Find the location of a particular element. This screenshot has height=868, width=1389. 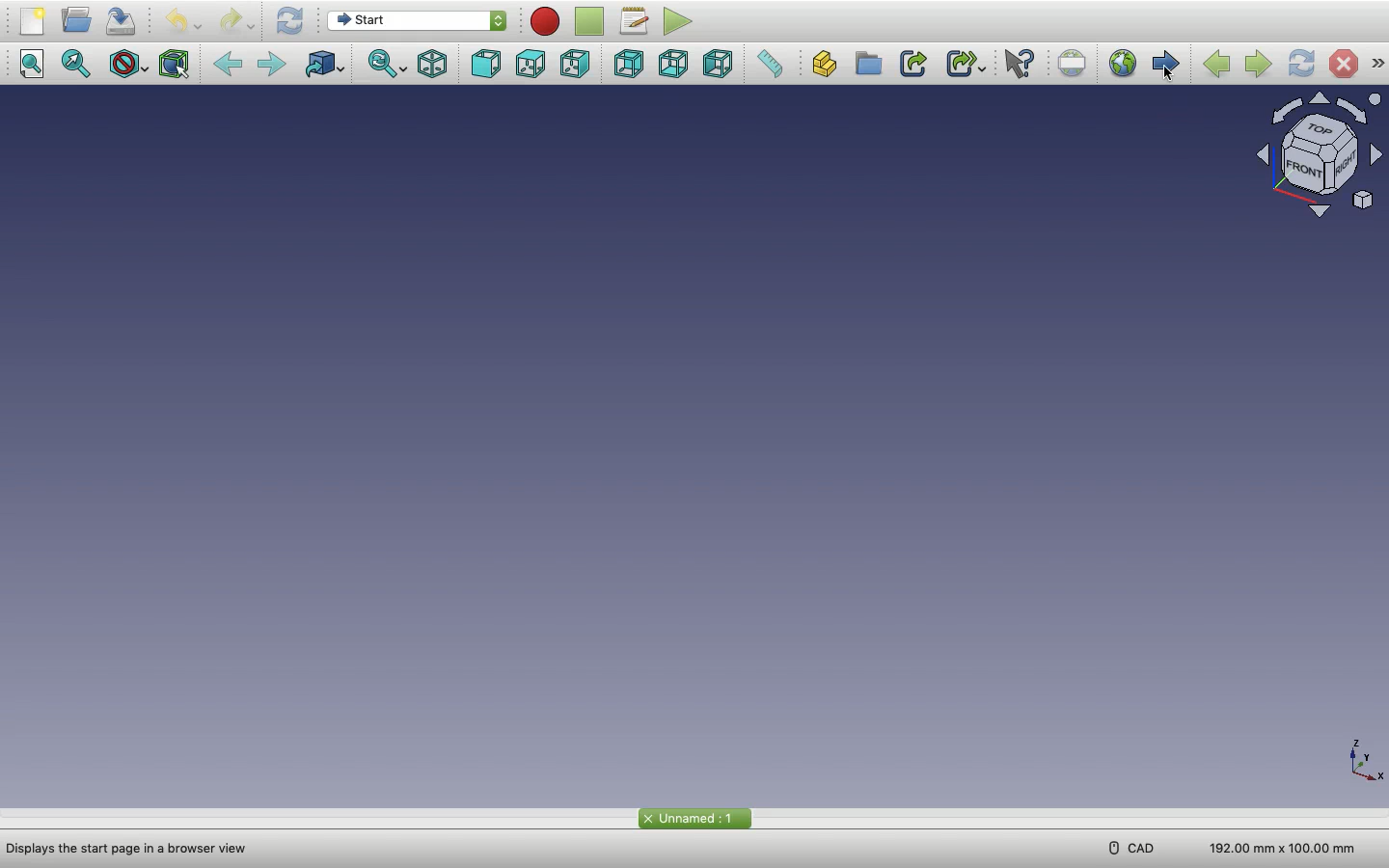

Execute macros is located at coordinates (678, 21).